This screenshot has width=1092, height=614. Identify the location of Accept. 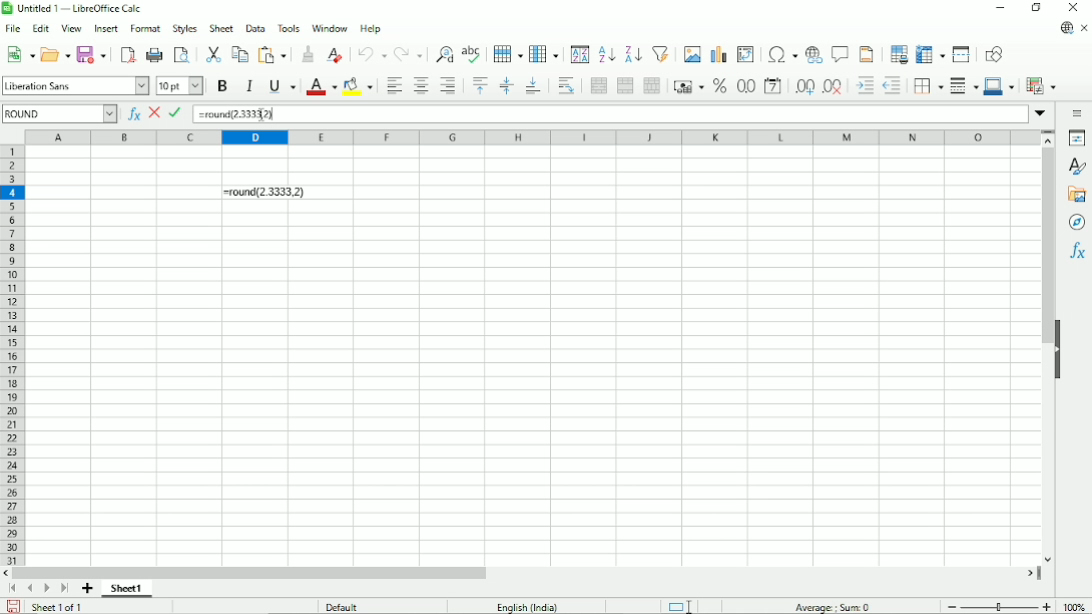
(177, 113).